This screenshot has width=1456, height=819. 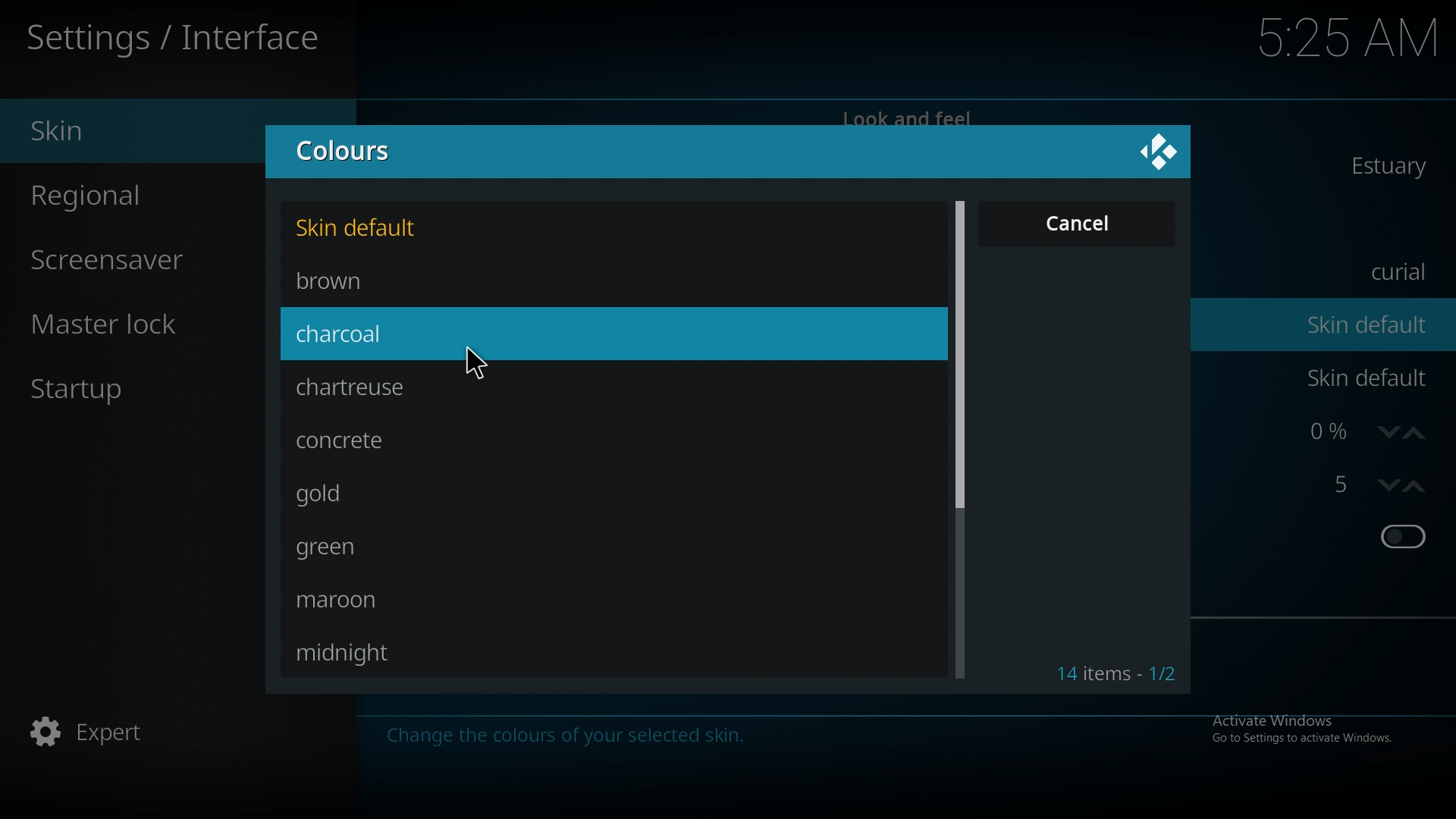 What do you see at coordinates (1332, 37) in the screenshot?
I see `time` at bounding box center [1332, 37].